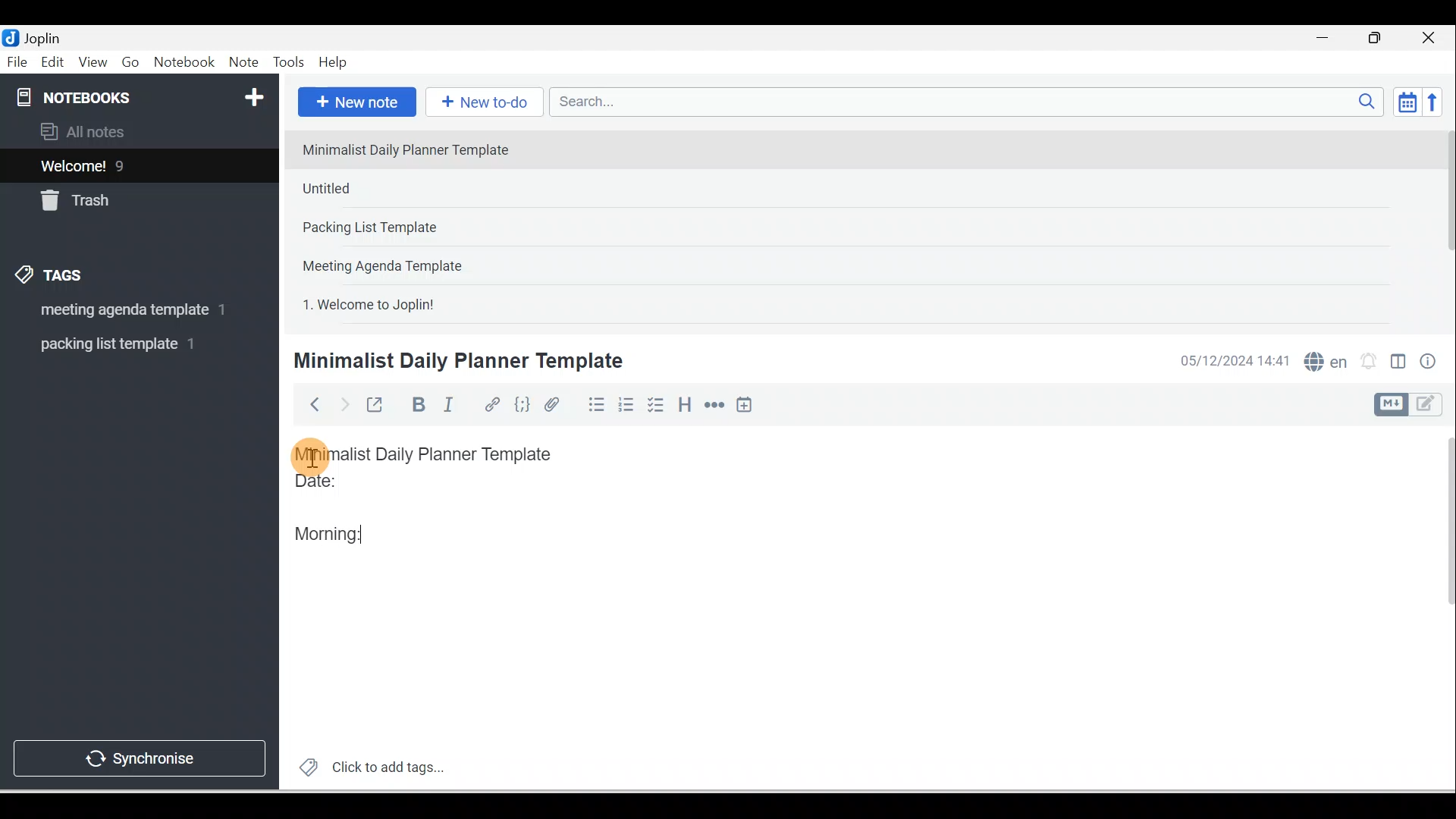 The width and height of the screenshot is (1456, 819). Describe the element at coordinates (143, 94) in the screenshot. I see `Notebooks` at that location.